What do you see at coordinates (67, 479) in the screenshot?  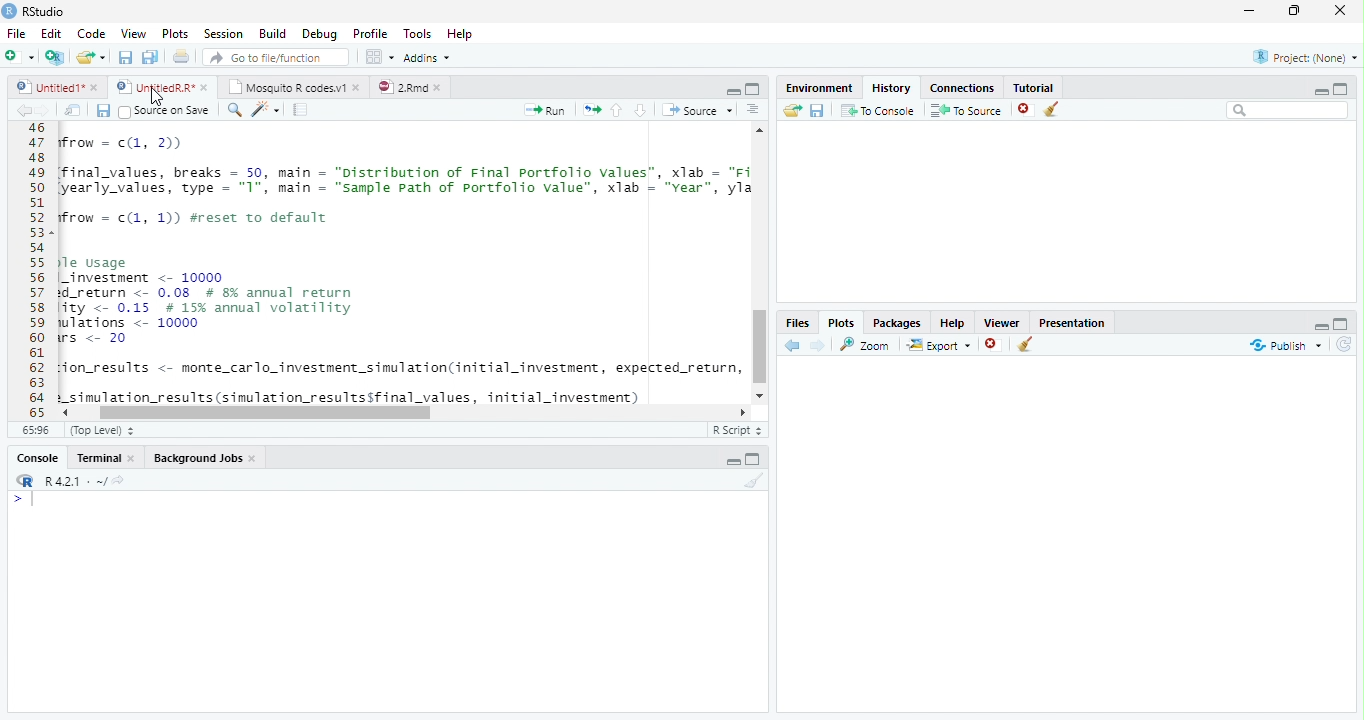 I see `R 4.2.1 ~/` at bounding box center [67, 479].